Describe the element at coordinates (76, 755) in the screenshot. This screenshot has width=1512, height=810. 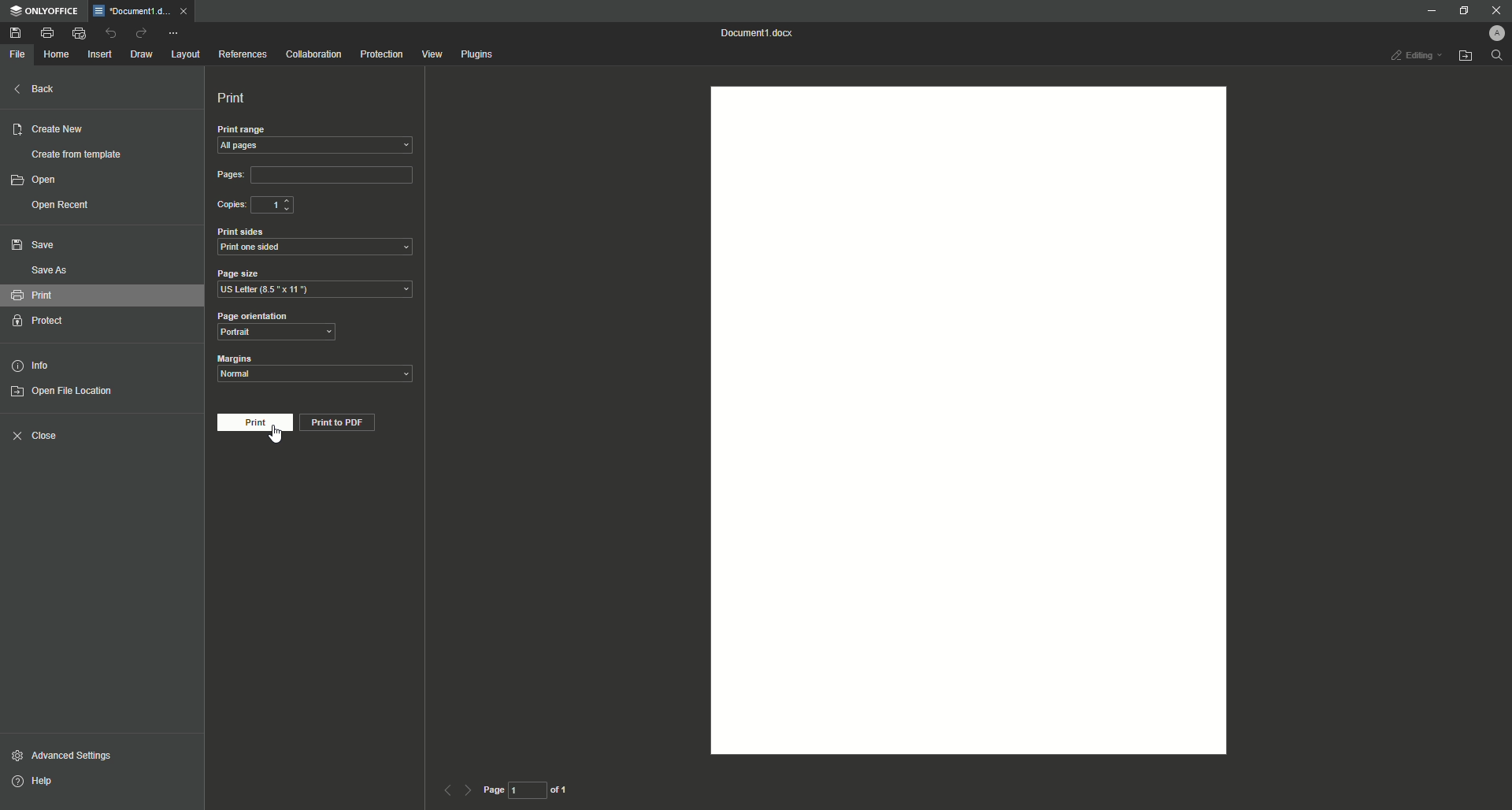
I see `advanced settings` at that location.